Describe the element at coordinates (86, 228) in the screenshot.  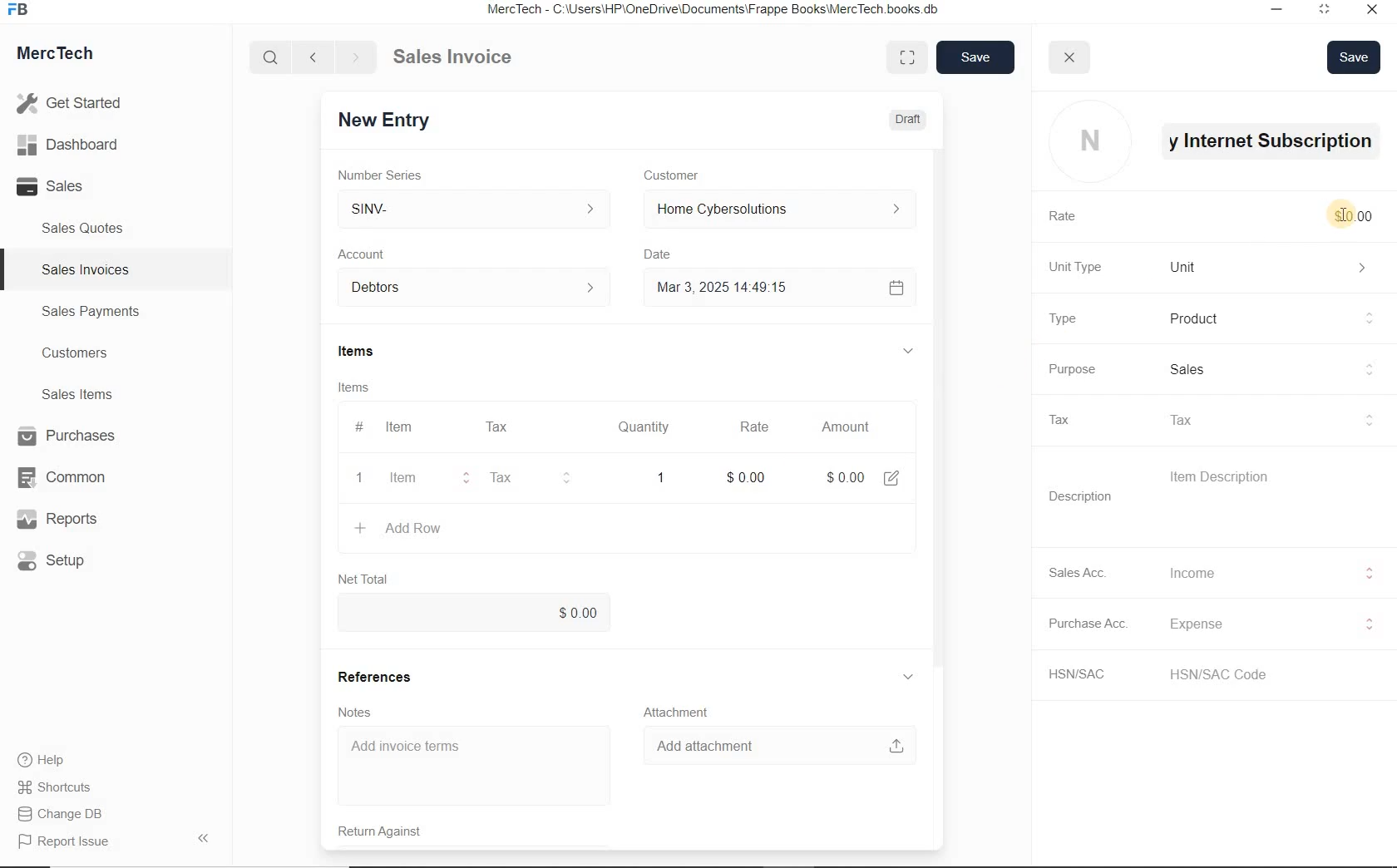
I see `Sales Quotes` at that location.